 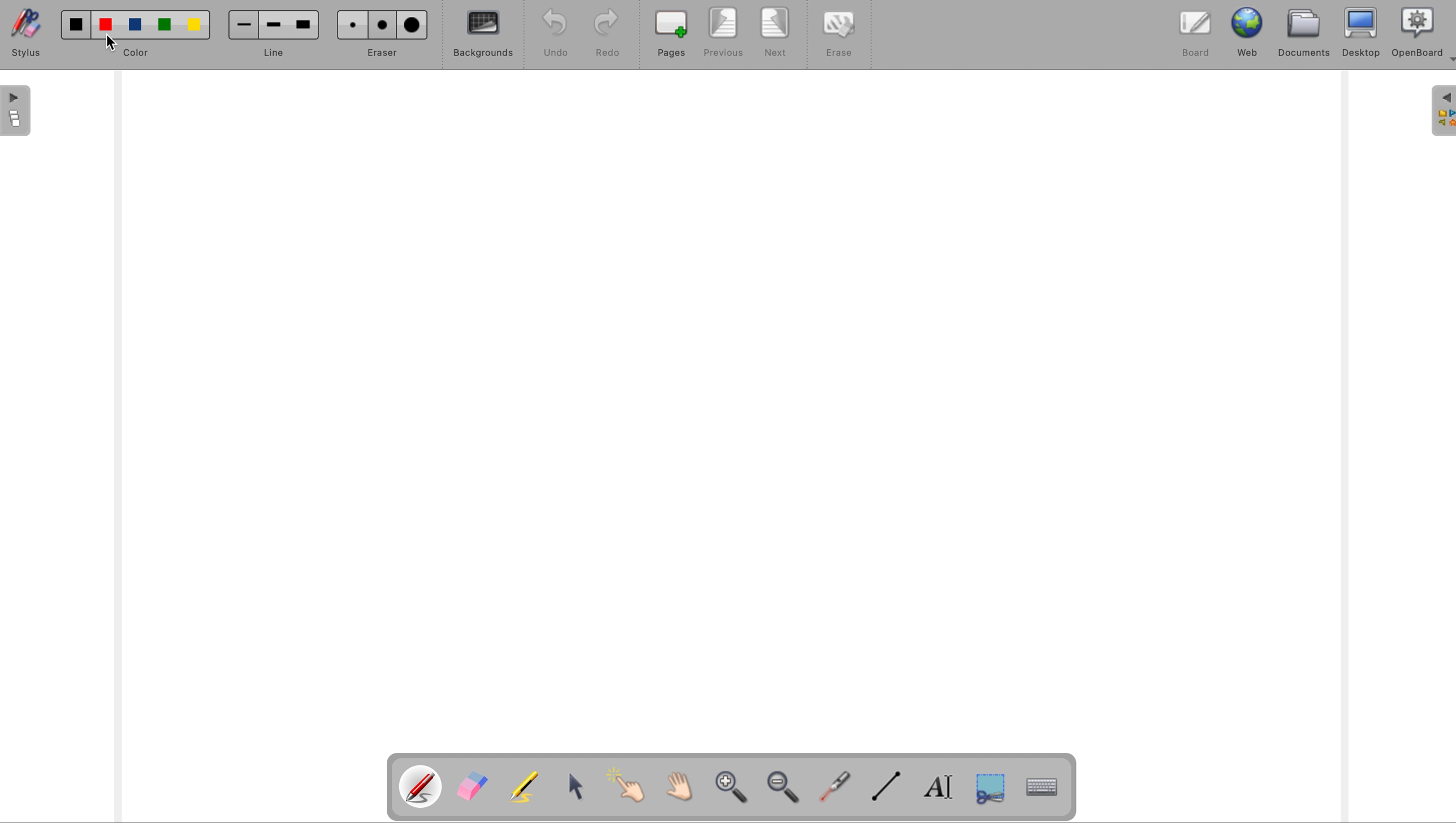 I want to click on undo, so click(x=556, y=33).